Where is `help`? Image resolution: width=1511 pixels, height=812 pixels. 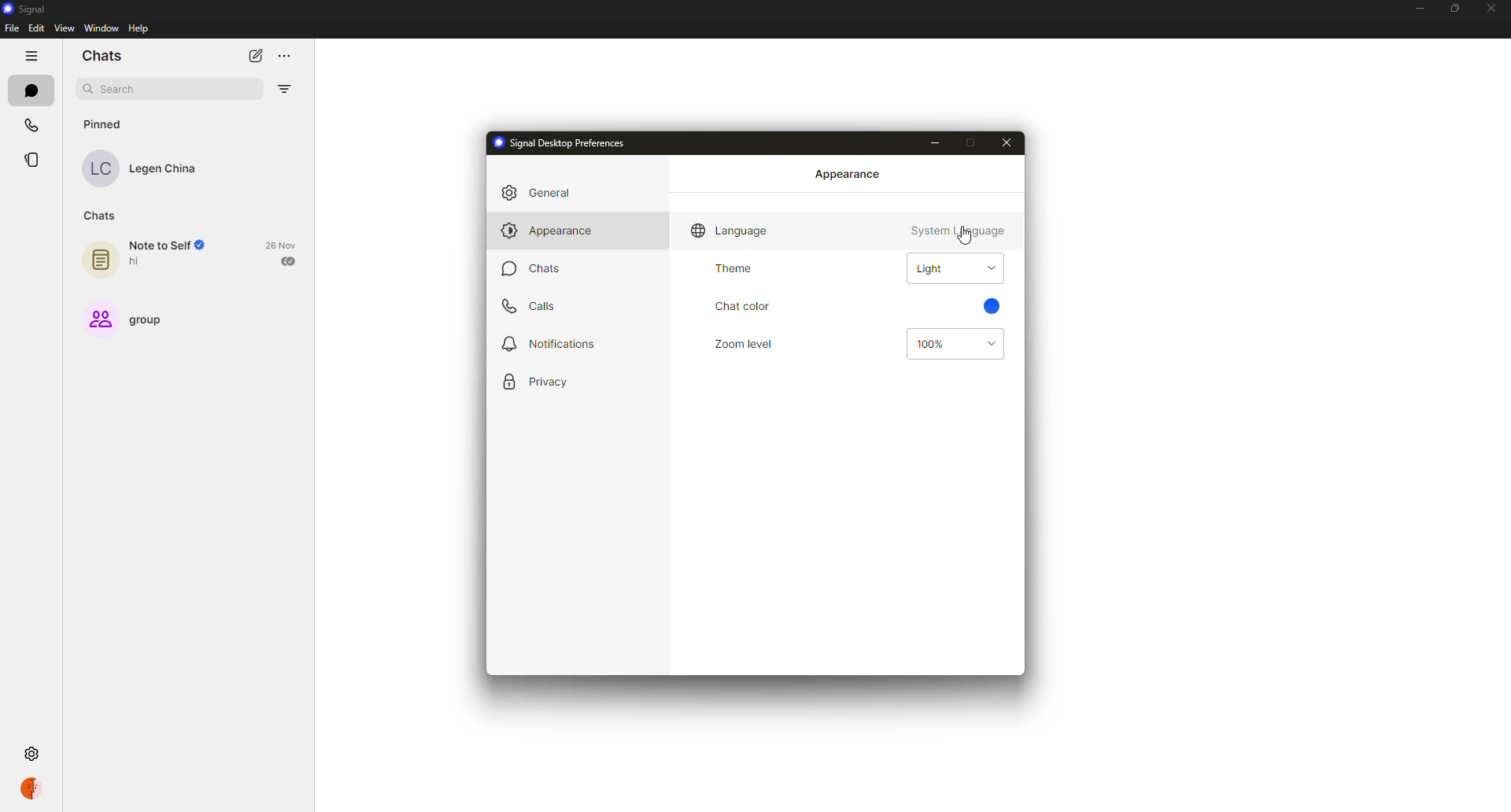 help is located at coordinates (138, 30).